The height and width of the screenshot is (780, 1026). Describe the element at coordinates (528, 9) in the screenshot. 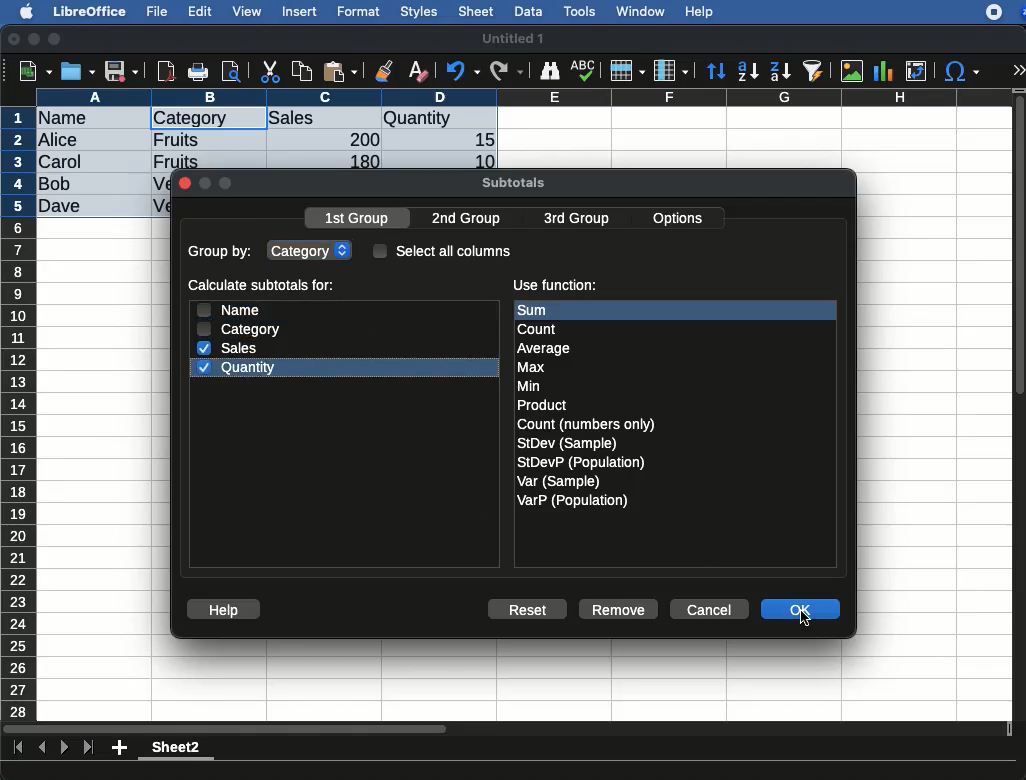

I see `data` at that location.